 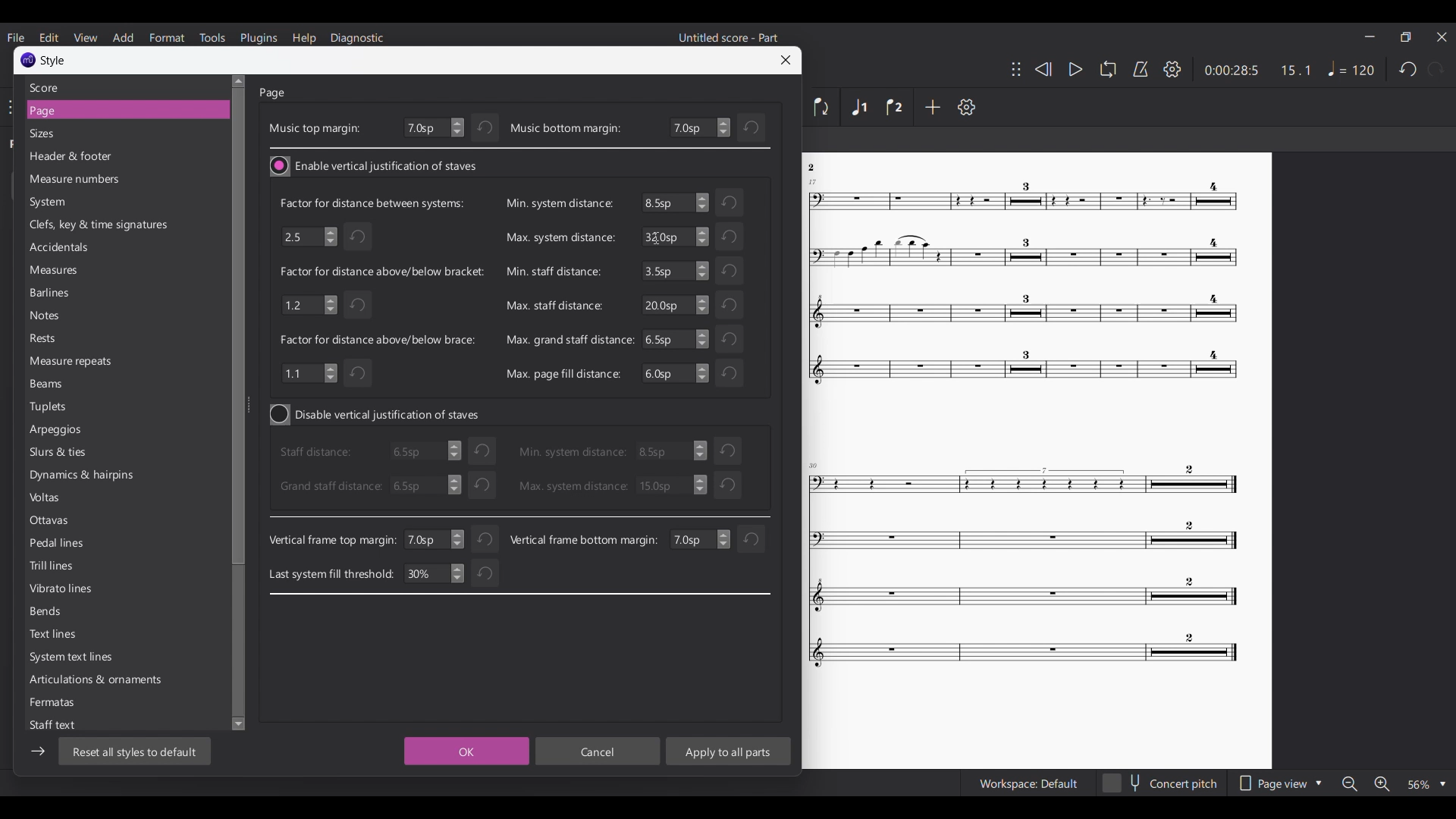 I want to click on Notes, so click(x=68, y=316).